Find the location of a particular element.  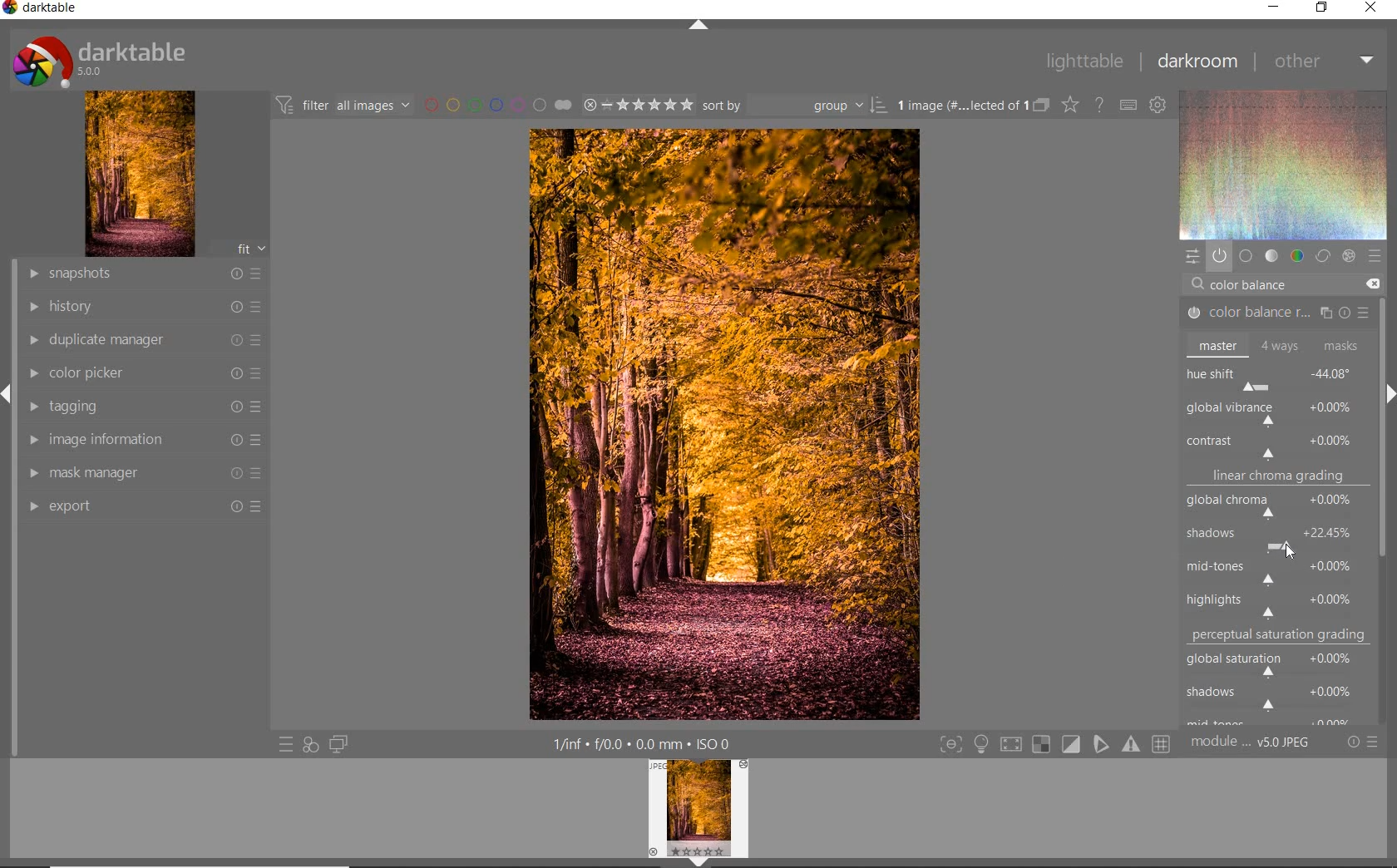

expand/collapse is located at coordinates (696, 25).